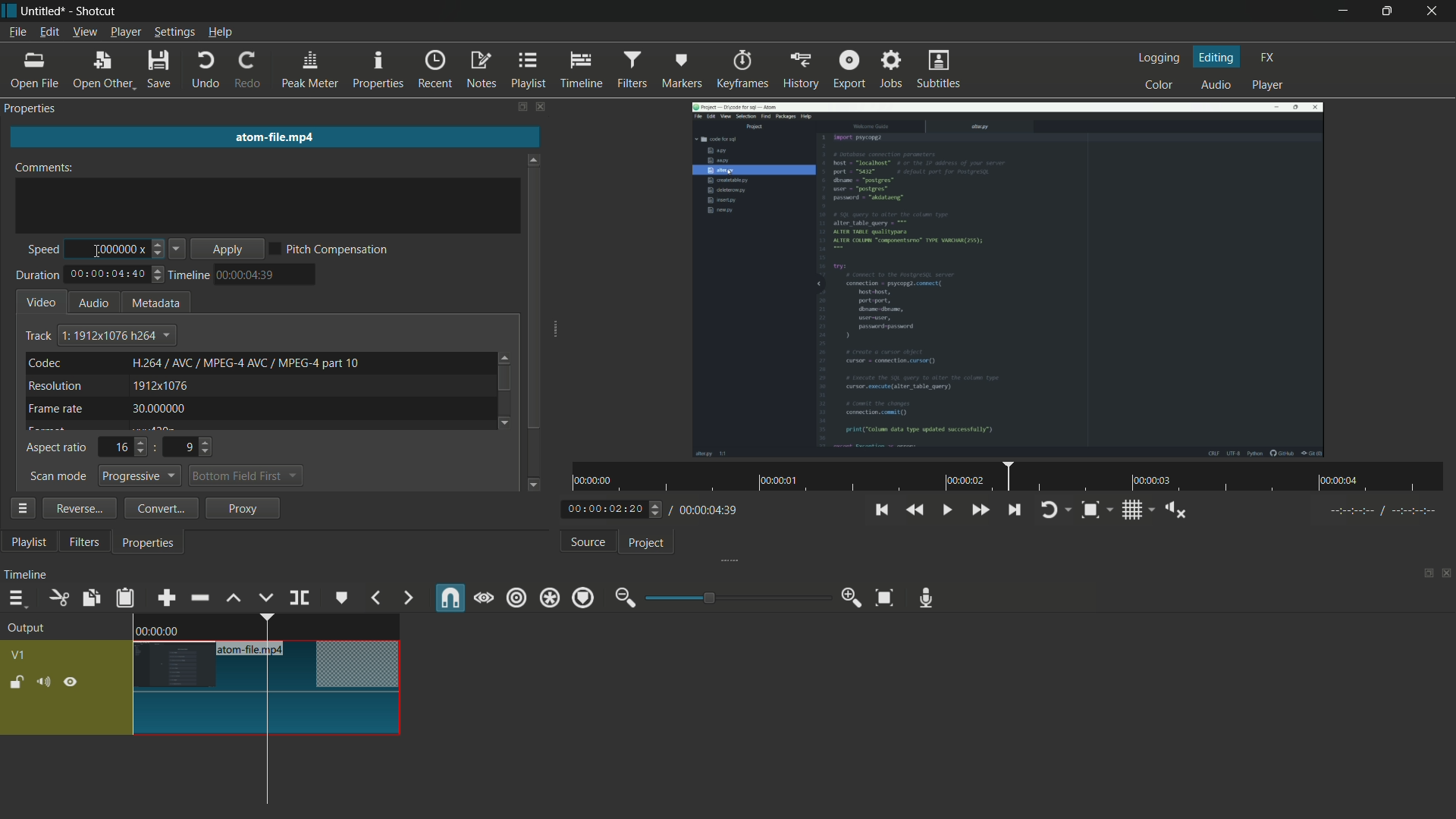  Describe the element at coordinates (549, 598) in the screenshot. I see `ripple all tracks` at that location.